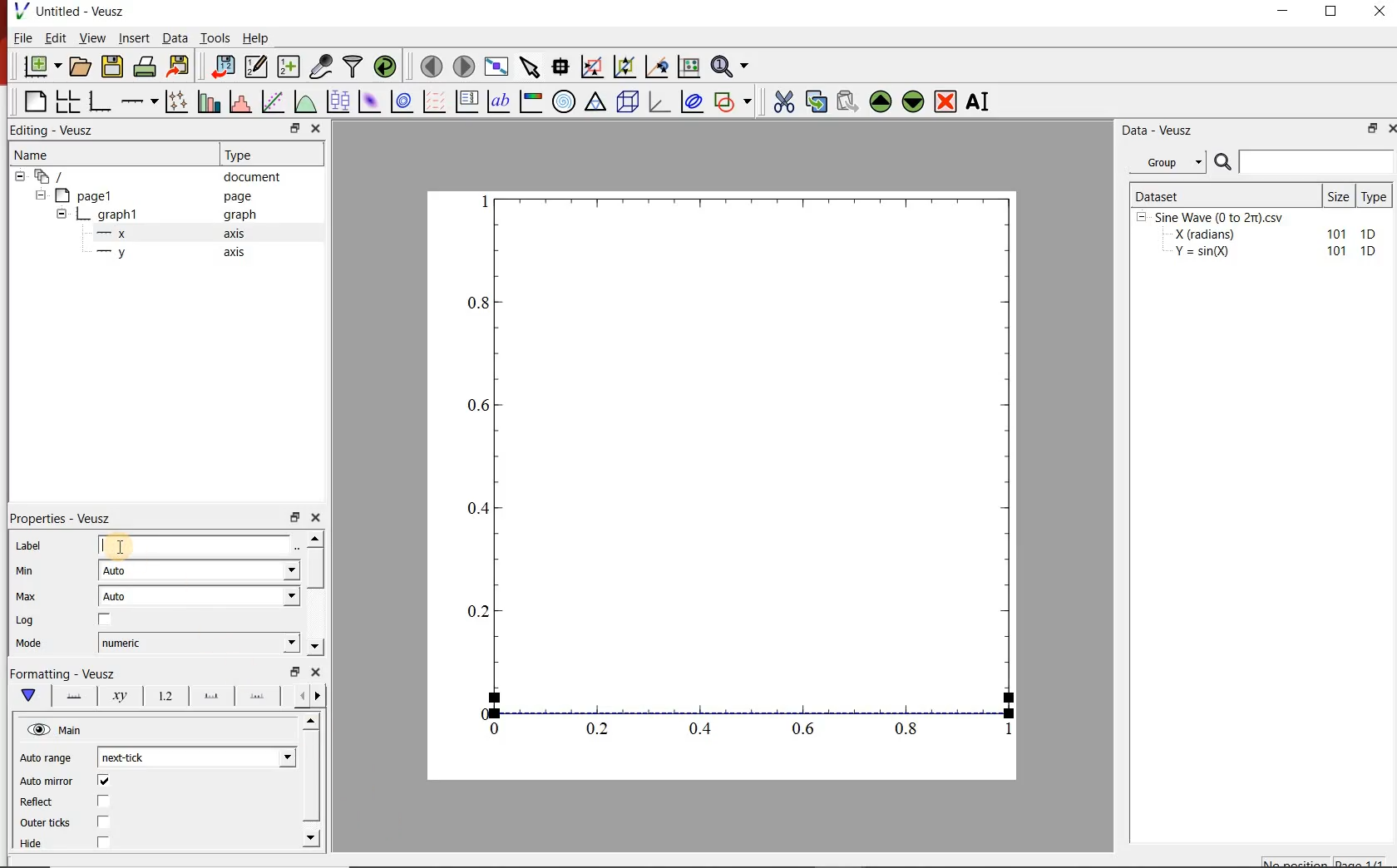 This screenshot has height=868, width=1397. What do you see at coordinates (27, 596) in the screenshot?
I see `Max` at bounding box center [27, 596].